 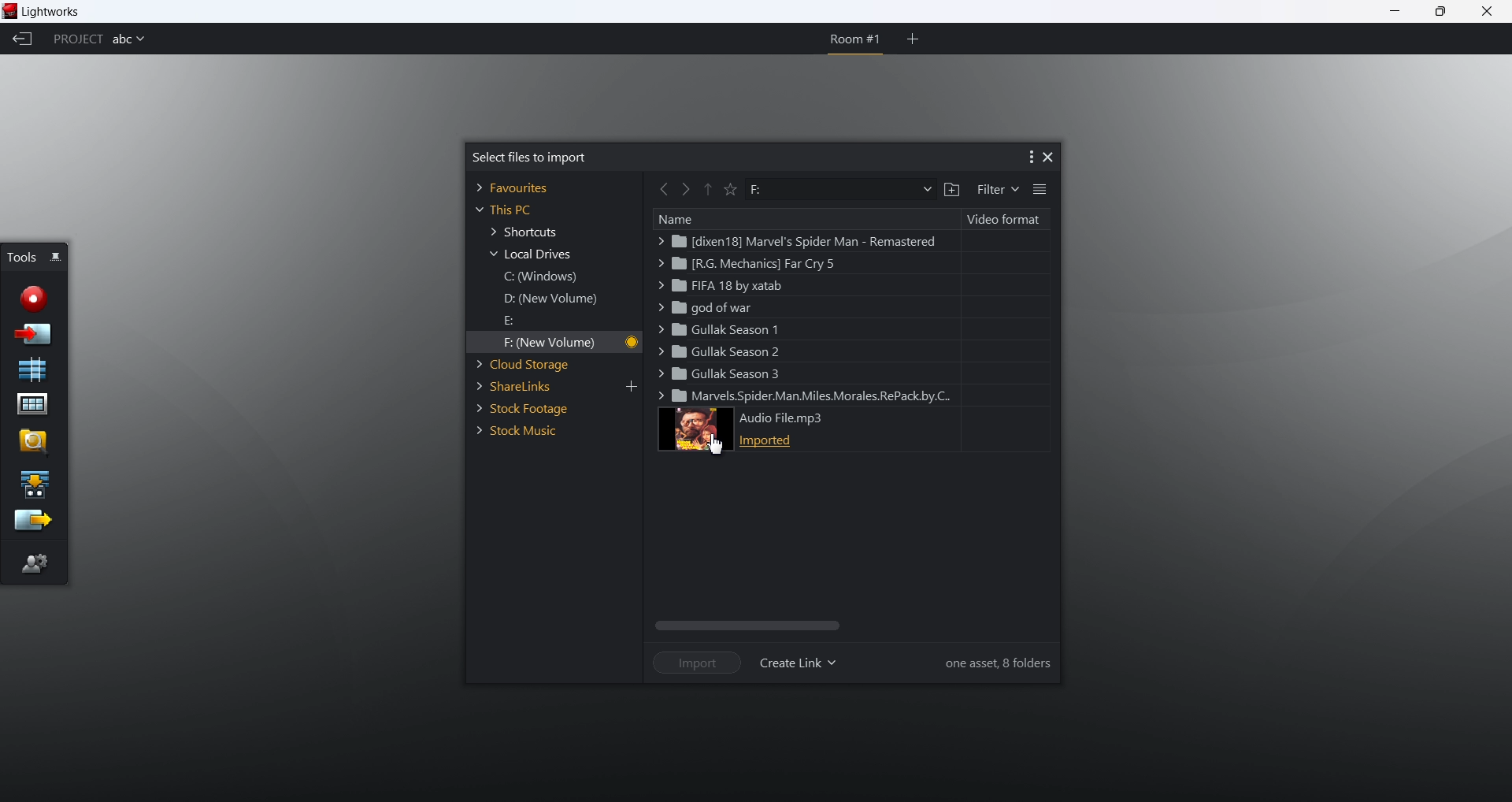 What do you see at coordinates (525, 234) in the screenshot?
I see `shortcuts` at bounding box center [525, 234].